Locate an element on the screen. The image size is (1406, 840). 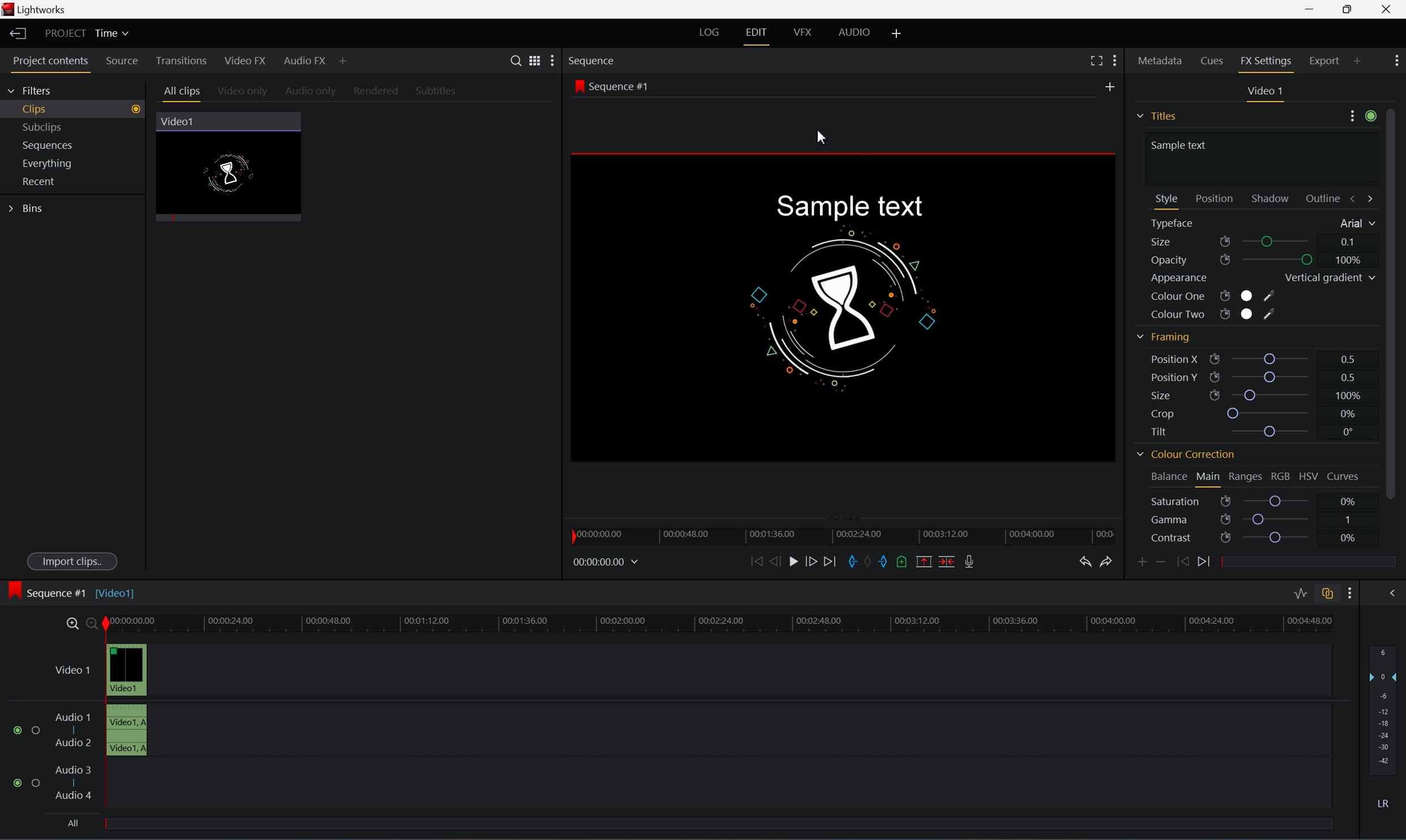
0.5 is located at coordinates (1345, 375).